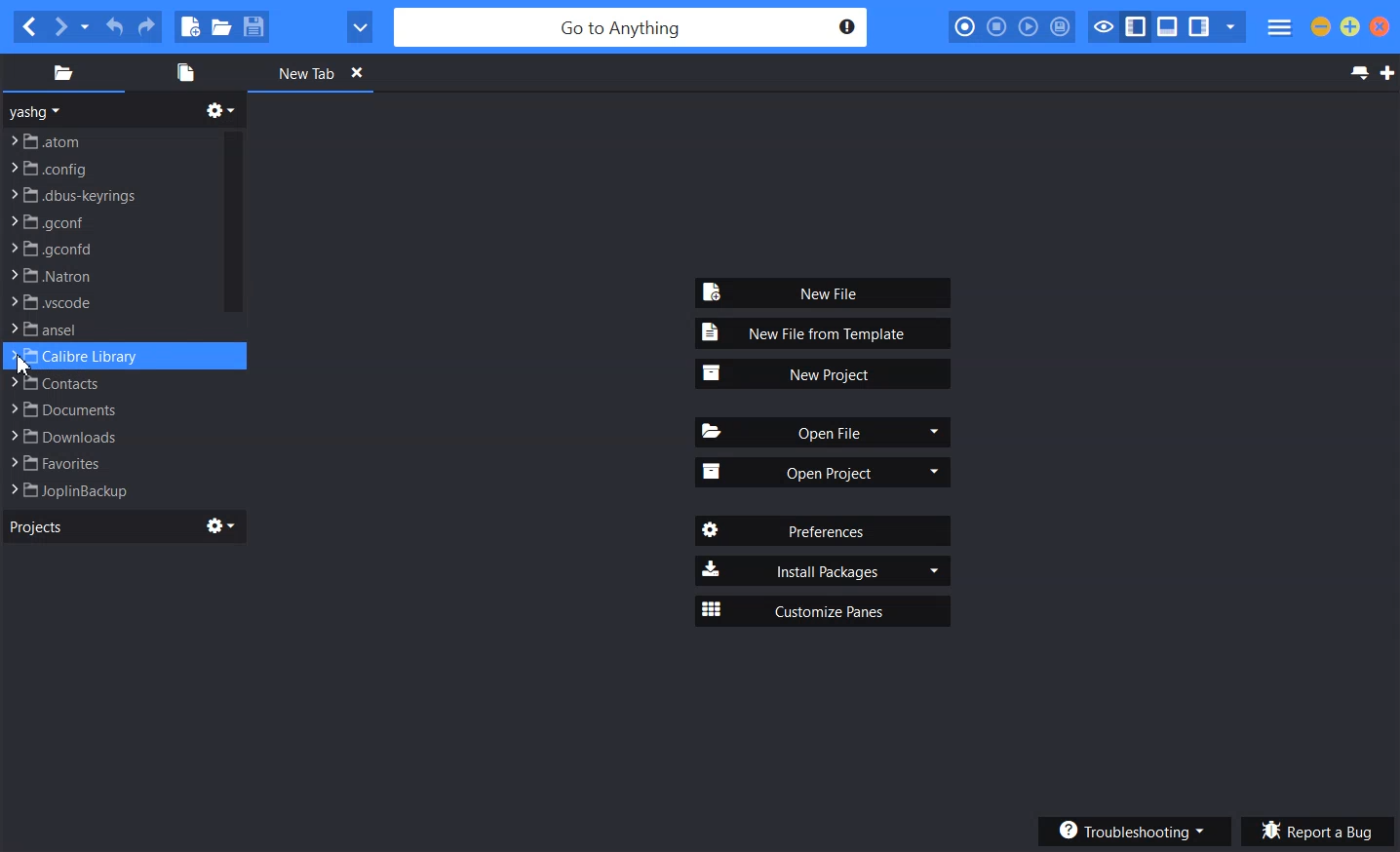 The width and height of the screenshot is (1400, 852). What do you see at coordinates (1318, 832) in the screenshot?
I see `Report a bug` at bounding box center [1318, 832].